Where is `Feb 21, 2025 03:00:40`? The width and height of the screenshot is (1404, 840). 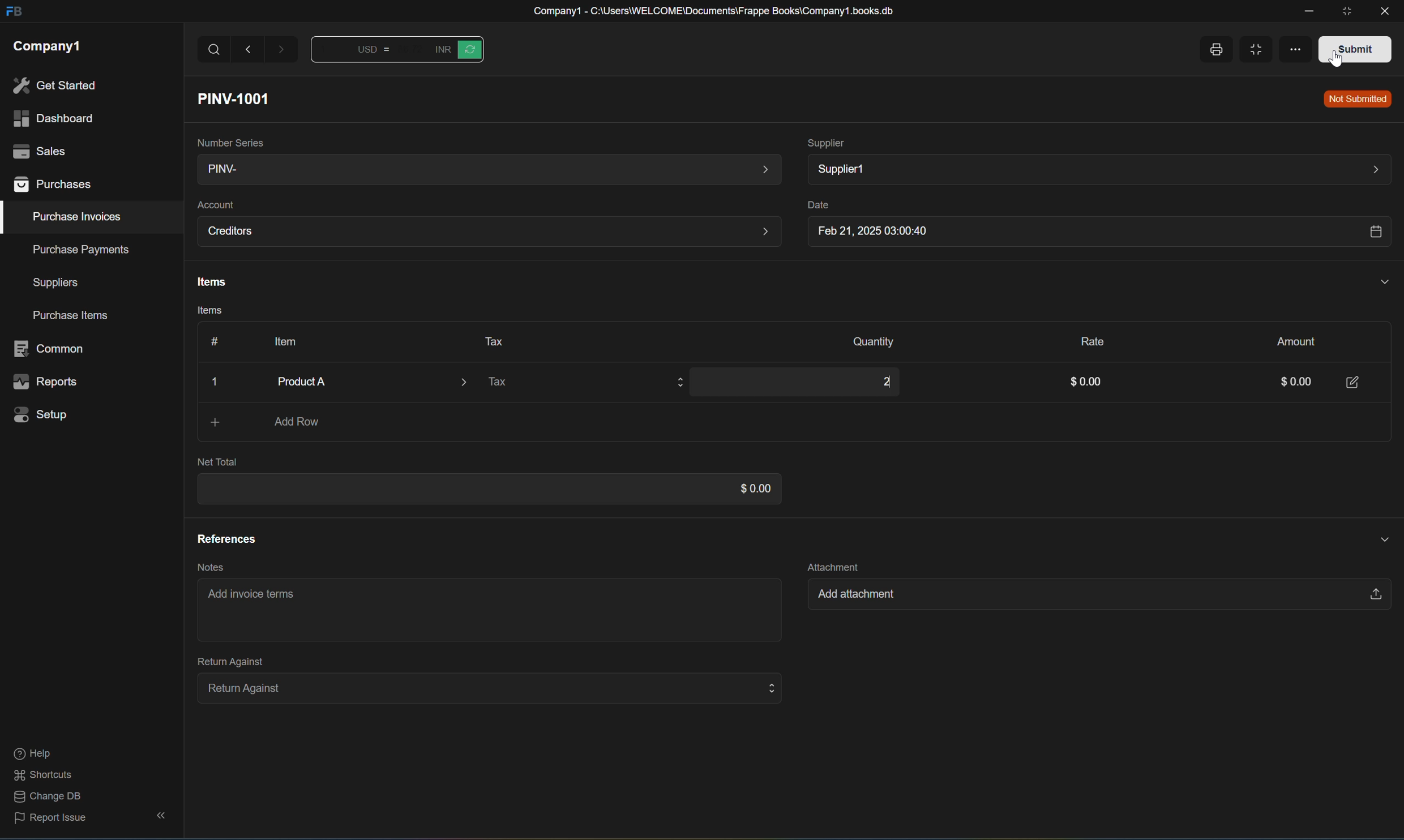 Feb 21, 2025 03:00:40 is located at coordinates (1095, 233).